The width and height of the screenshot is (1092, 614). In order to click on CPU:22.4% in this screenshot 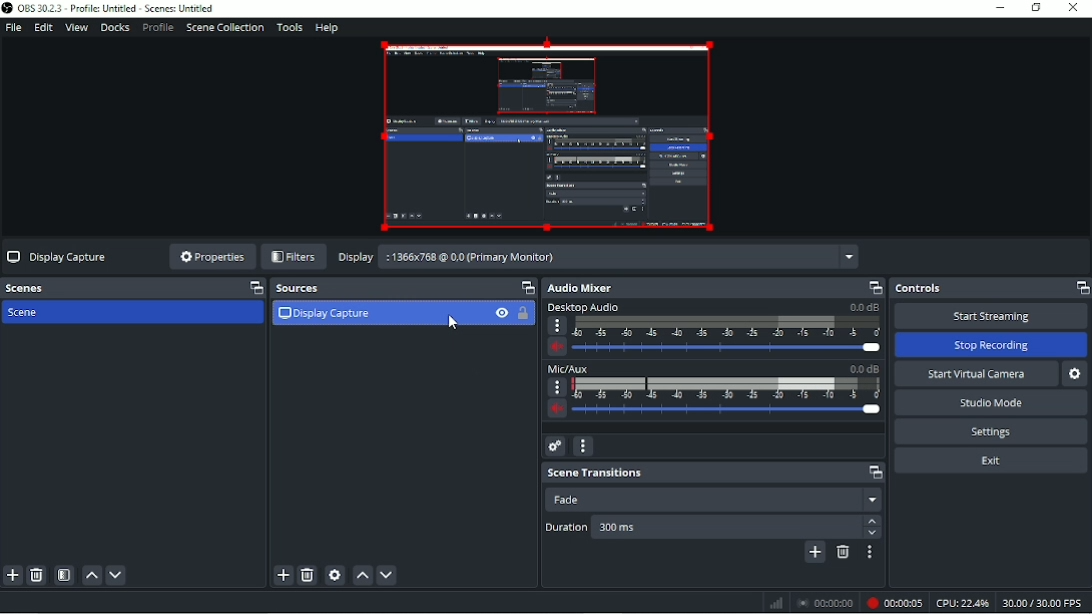, I will do `click(963, 602)`.